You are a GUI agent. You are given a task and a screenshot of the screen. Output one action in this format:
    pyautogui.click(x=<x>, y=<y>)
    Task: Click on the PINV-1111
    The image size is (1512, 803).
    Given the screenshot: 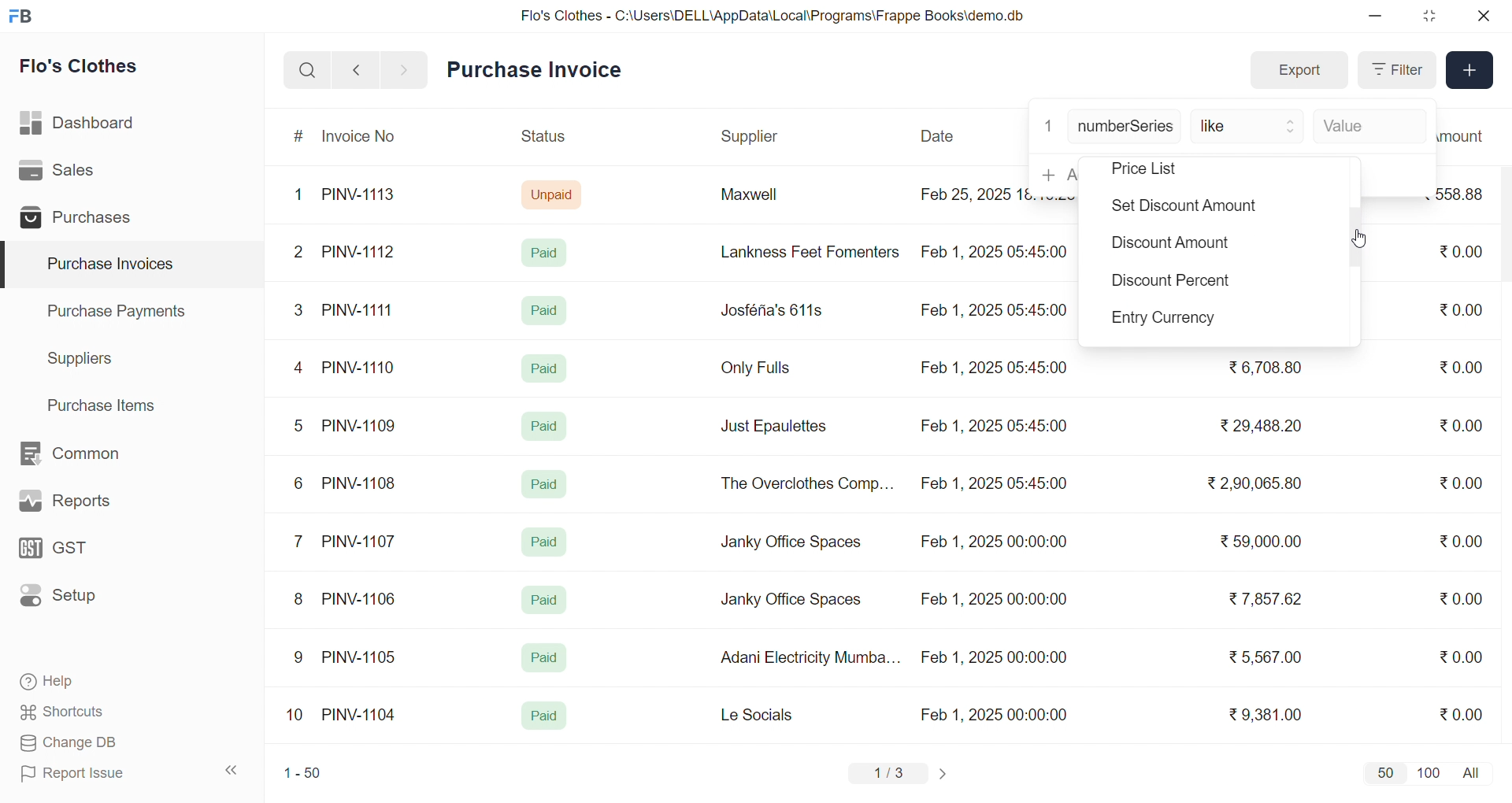 What is the action you would take?
    pyautogui.click(x=359, y=309)
    